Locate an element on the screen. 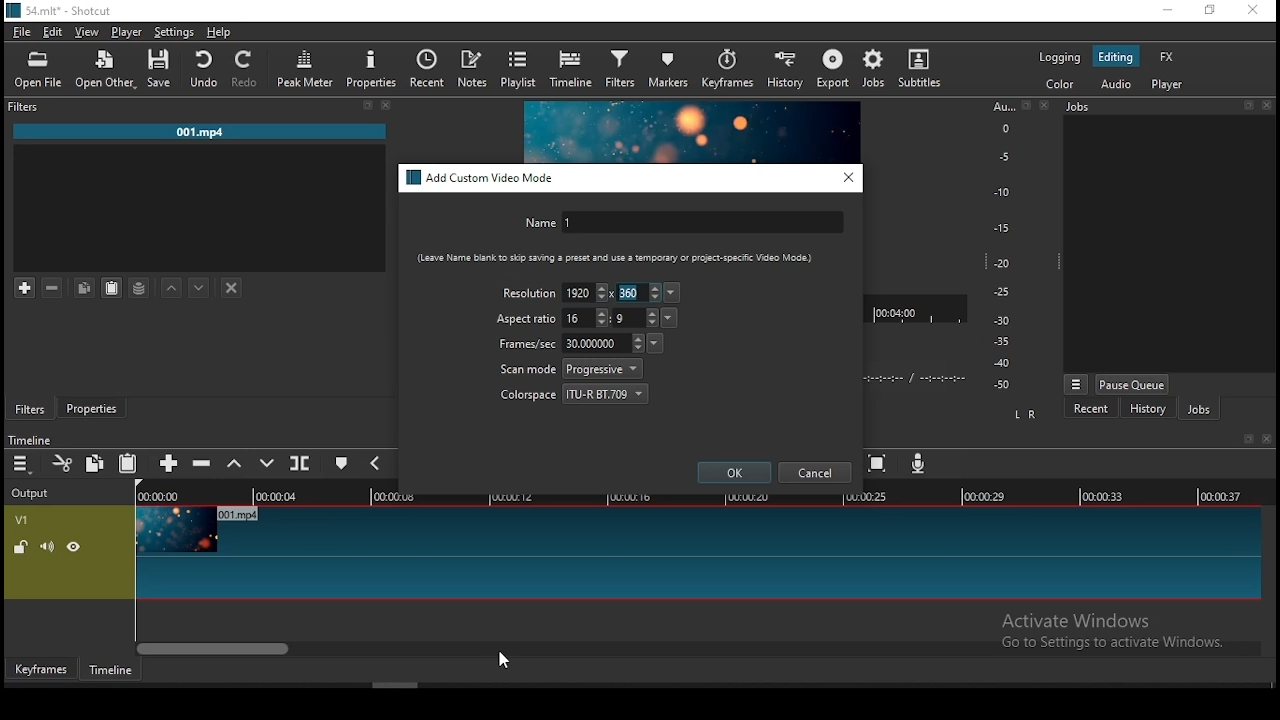  notes is located at coordinates (472, 69).